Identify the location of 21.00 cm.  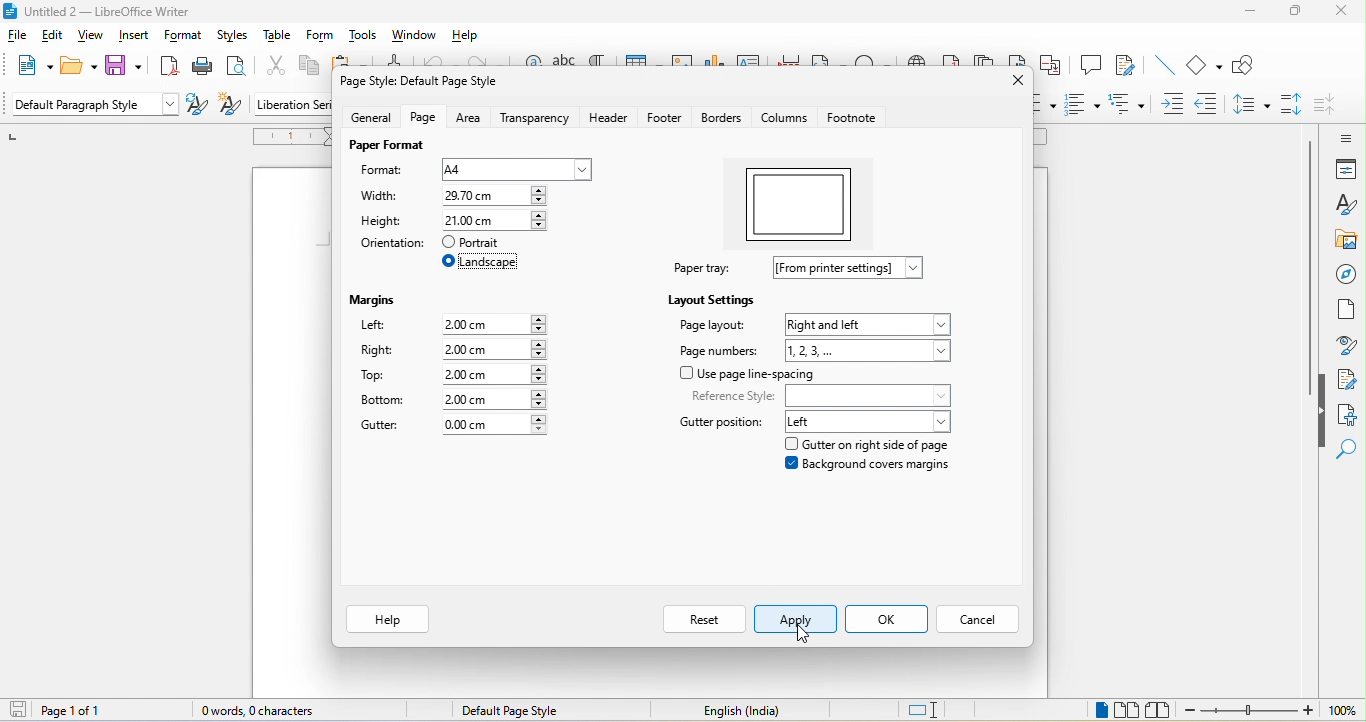
(498, 196).